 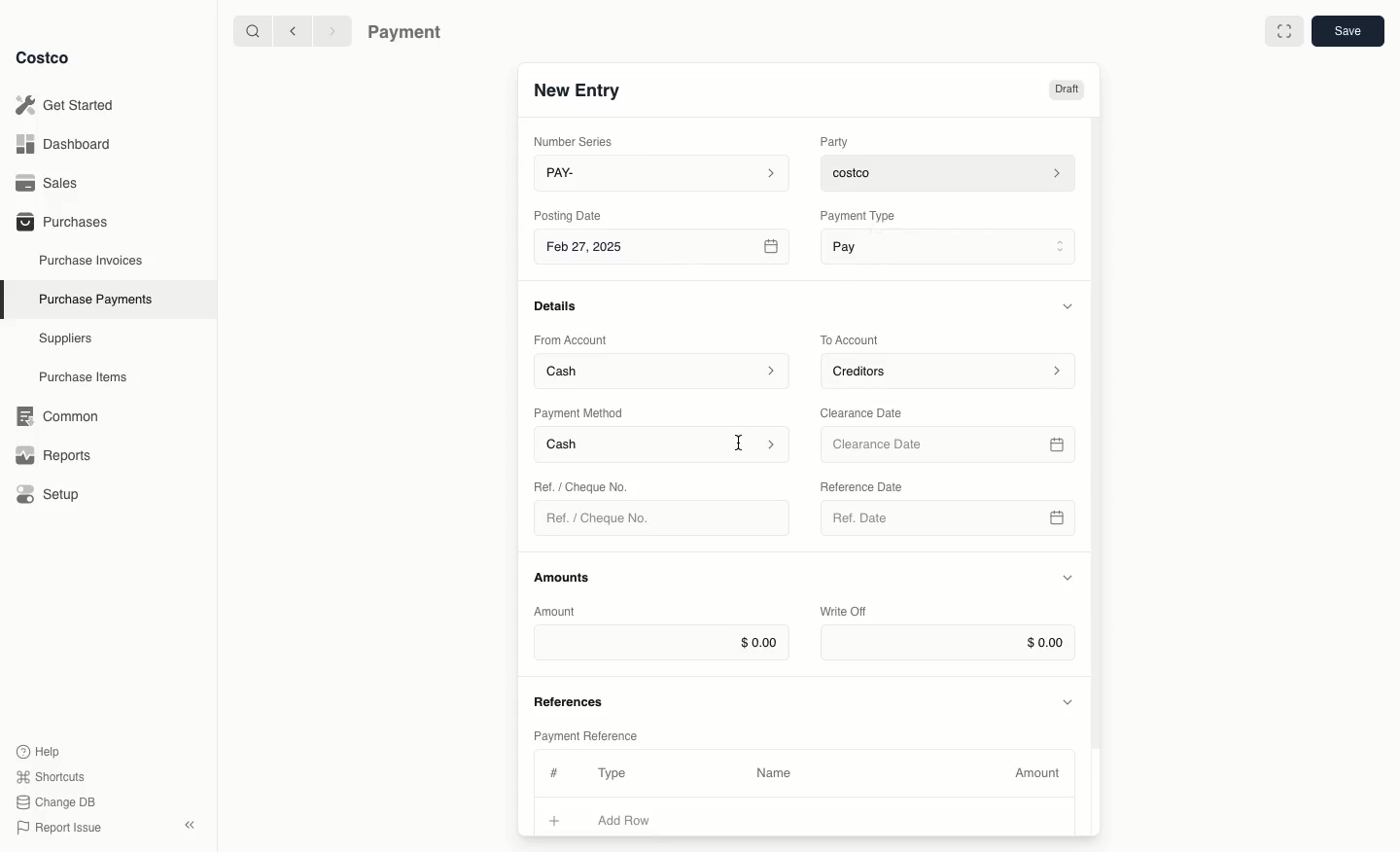 I want to click on Creditors, so click(x=951, y=370).